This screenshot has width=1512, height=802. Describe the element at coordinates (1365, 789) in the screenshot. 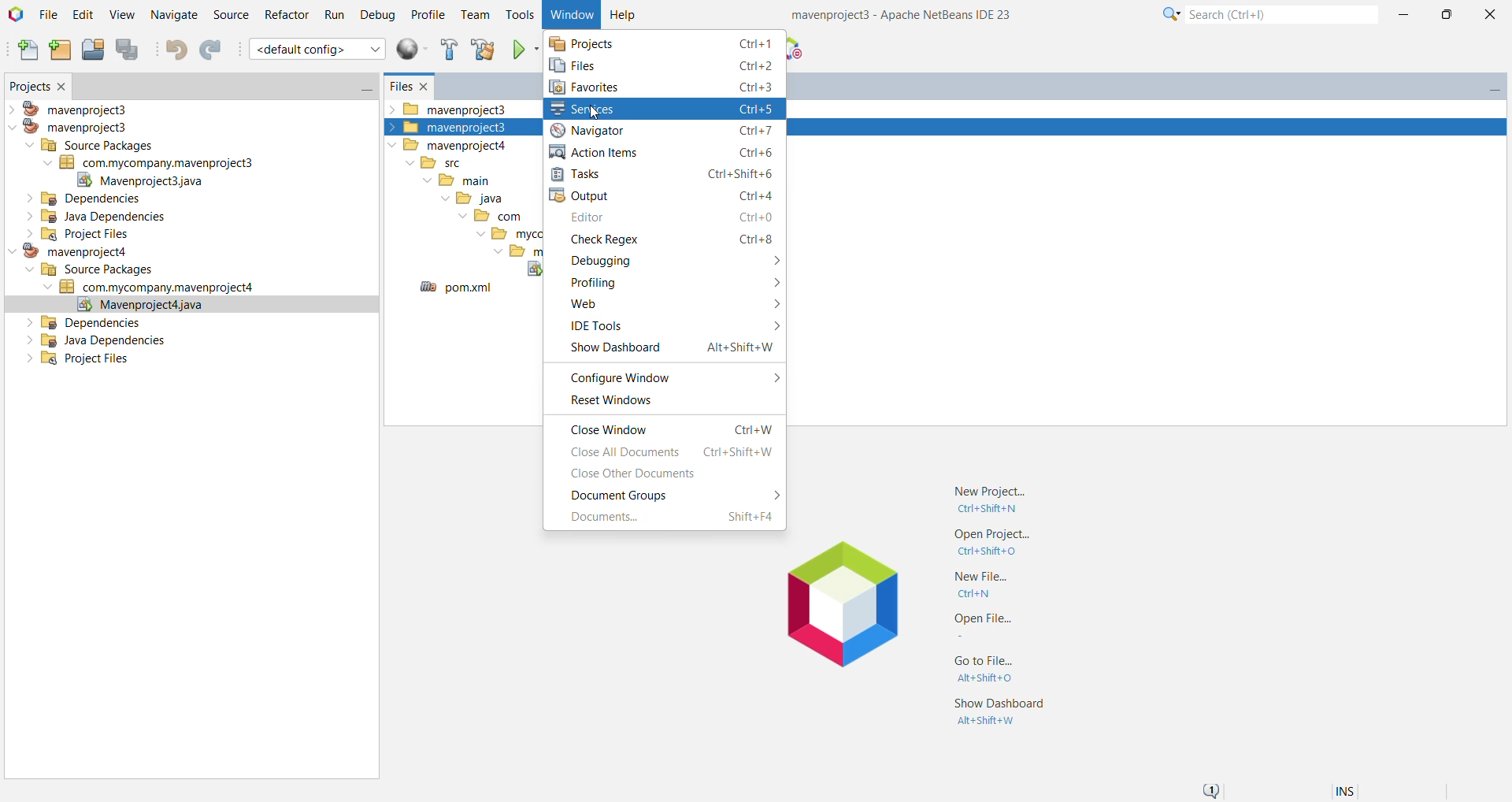

I see `Encoding` at that location.